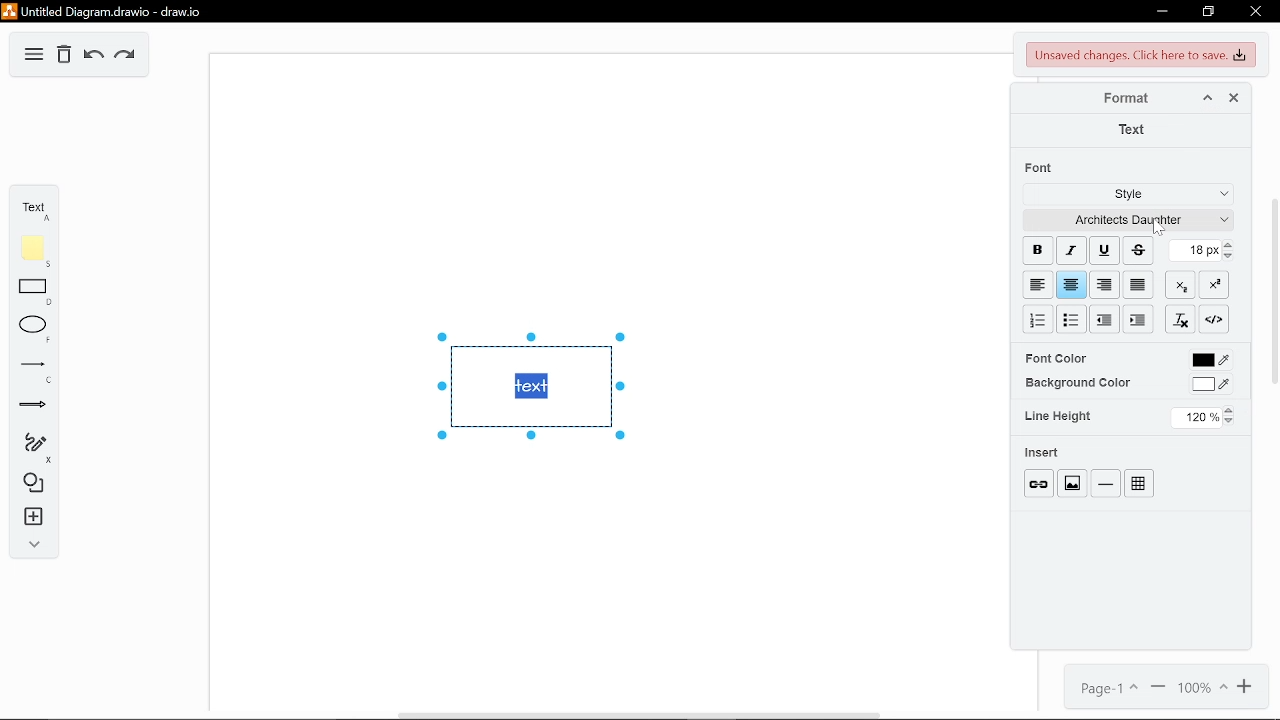 The height and width of the screenshot is (720, 1280). Describe the element at coordinates (529, 385) in the screenshot. I see `textbox selected` at that location.